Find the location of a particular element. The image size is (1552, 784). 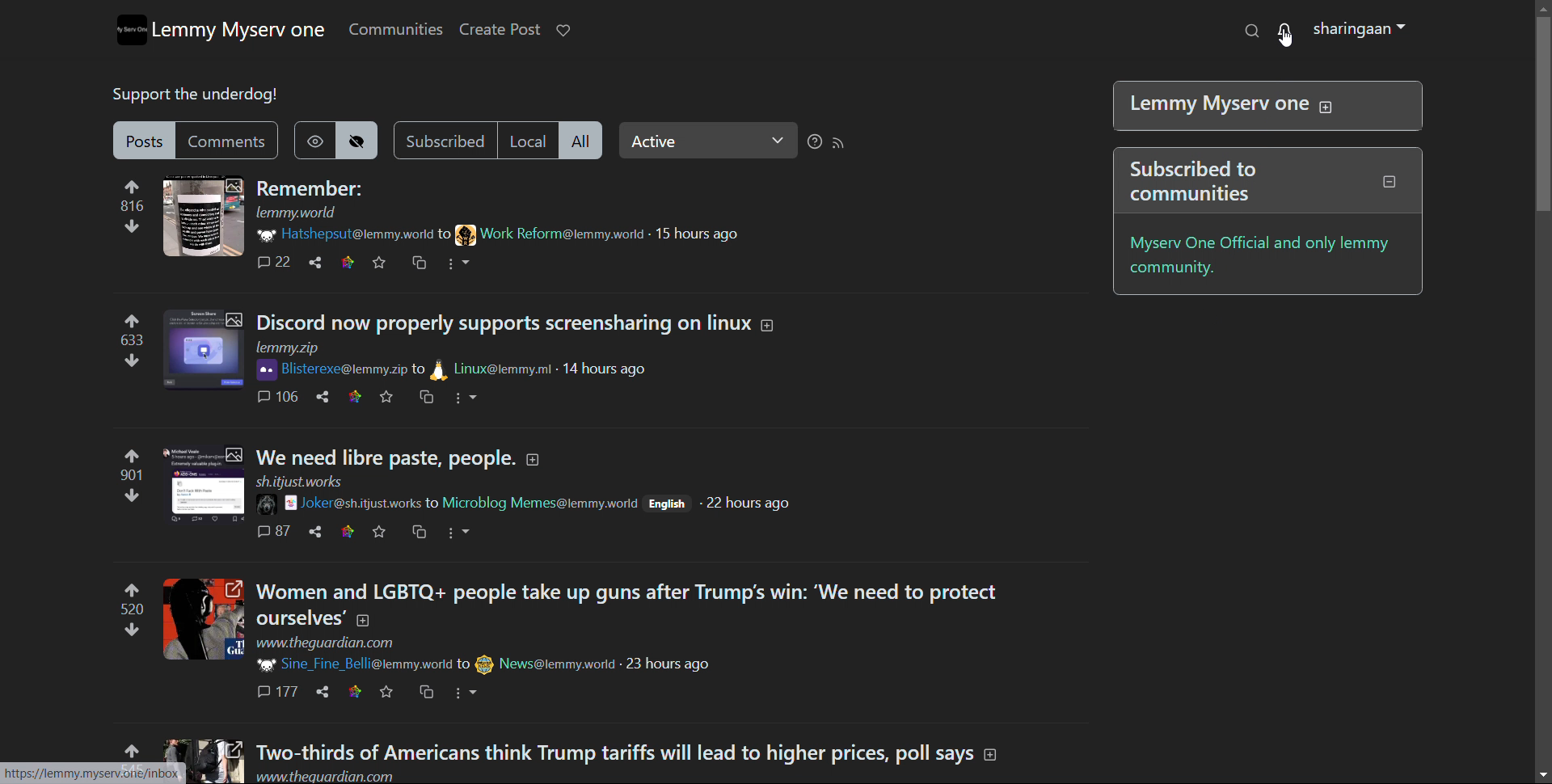

show hidden posts is located at coordinates (312, 140).